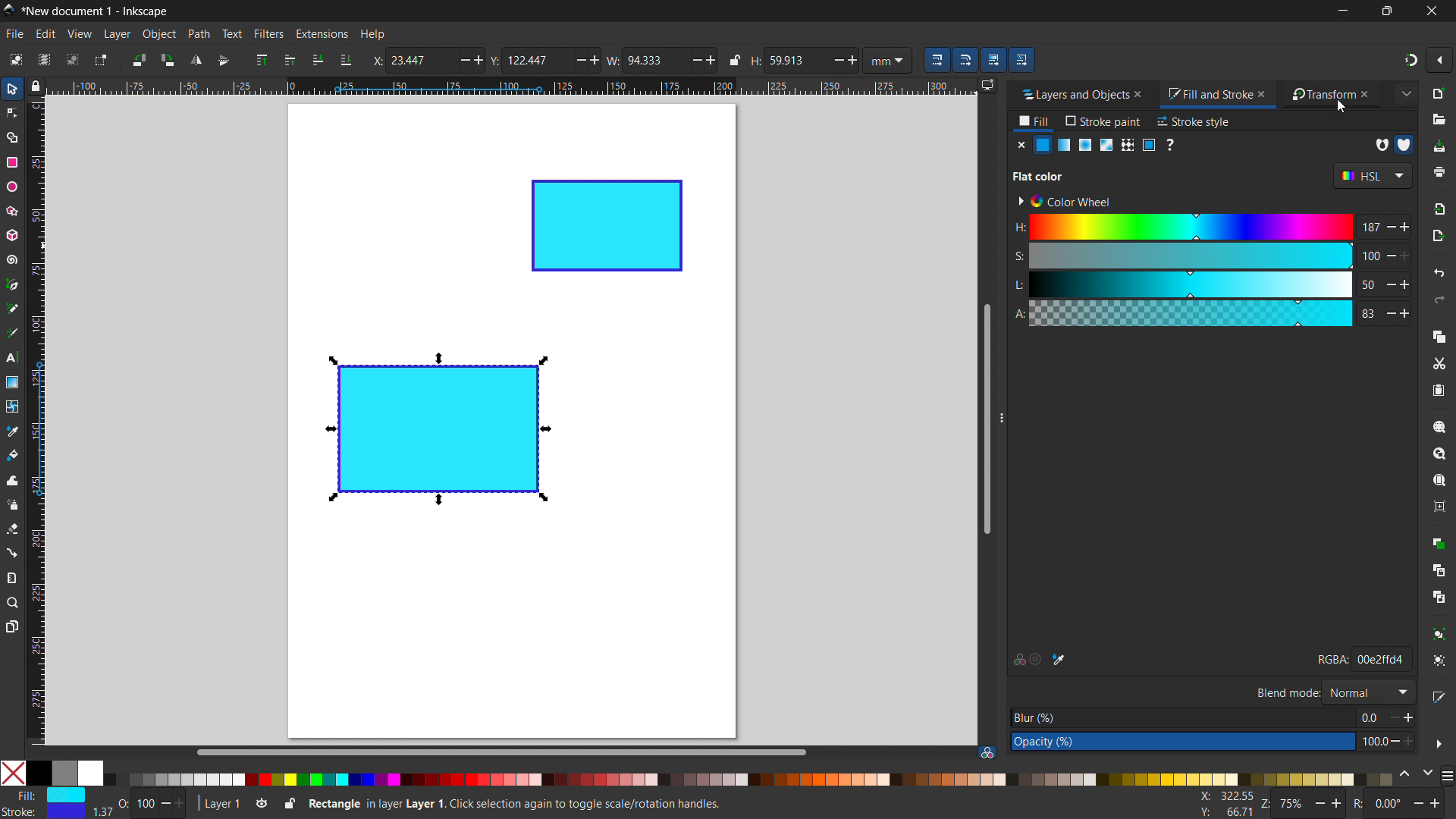  I want to click on White, so click(90, 773).